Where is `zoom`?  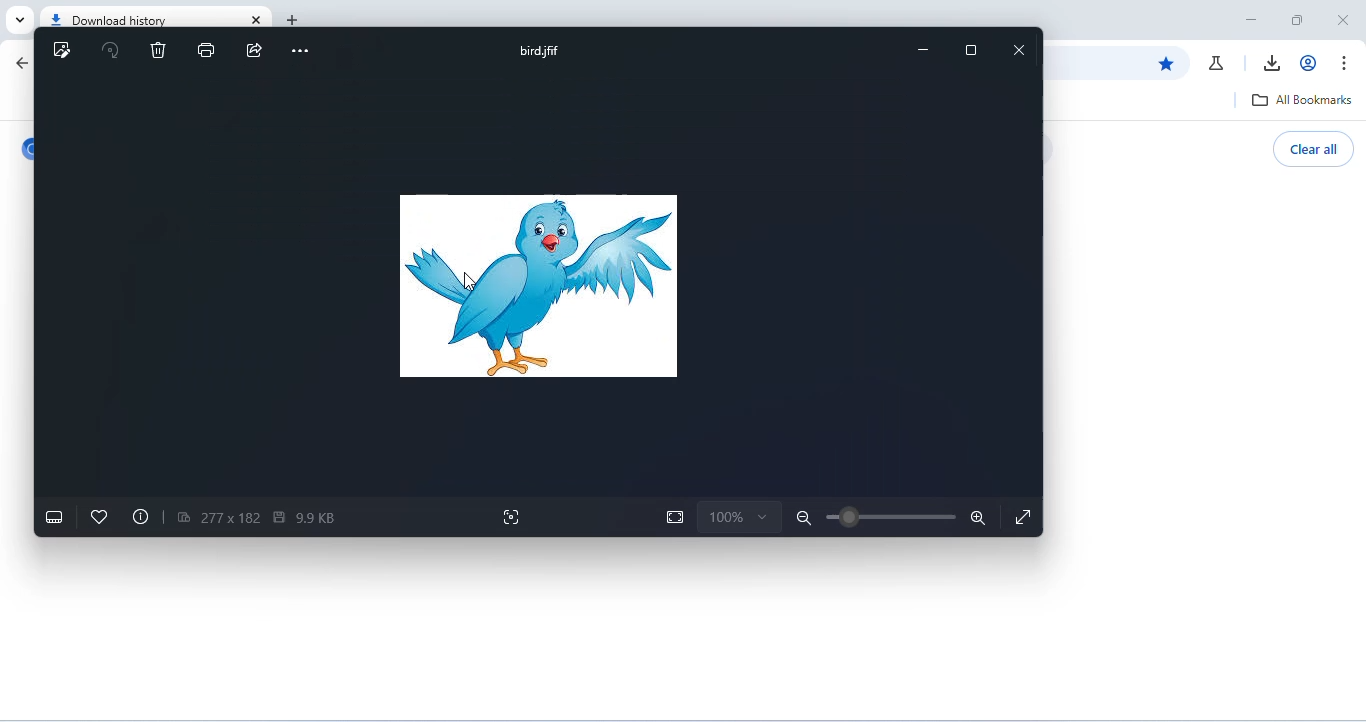 zoom is located at coordinates (892, 517).